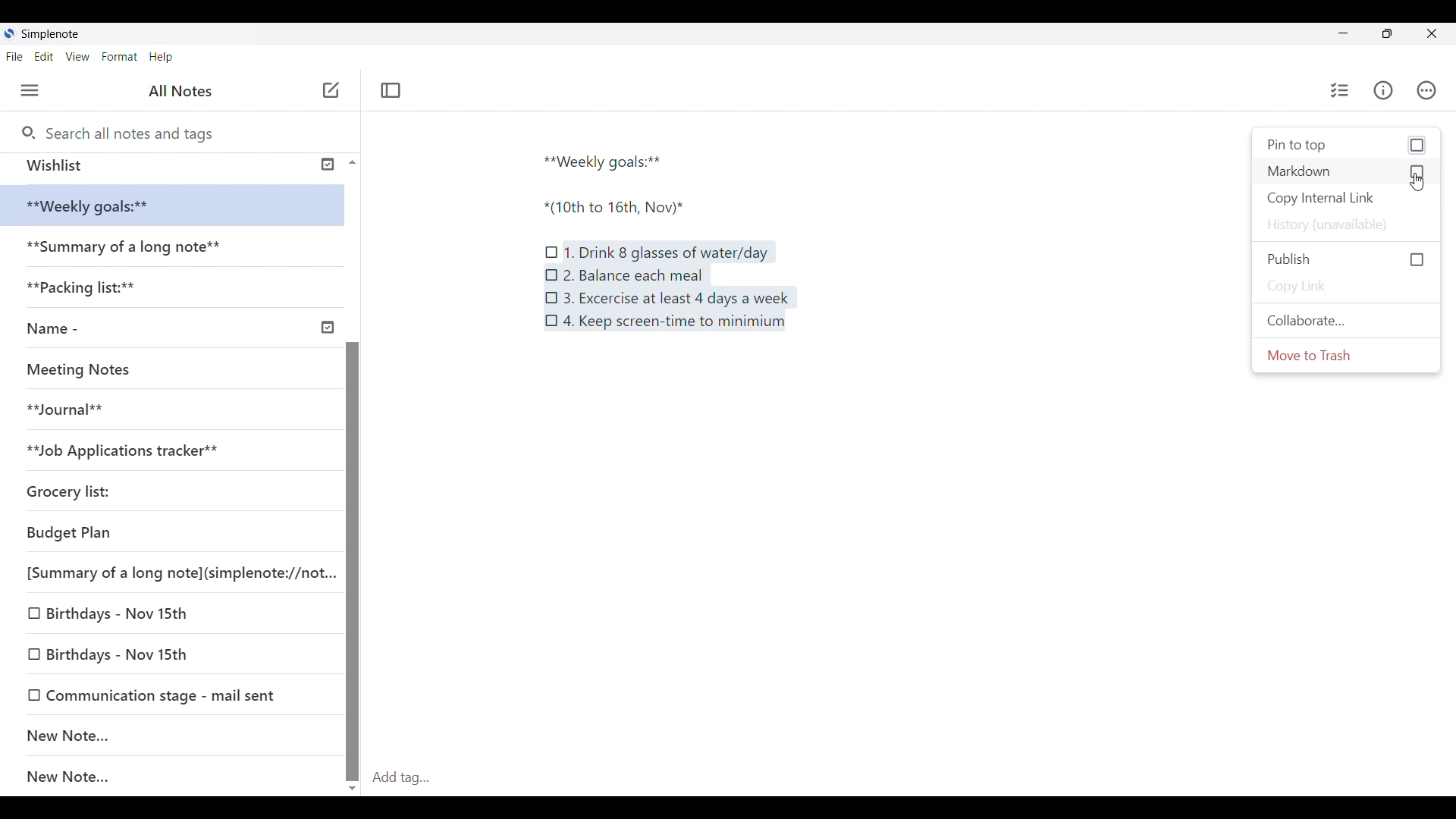 The height and width of the screenshot is (819, 1456). What do you see at coordinates (177, 329) in the screenshot?
I see `Name` at bounding box center [177, 329].